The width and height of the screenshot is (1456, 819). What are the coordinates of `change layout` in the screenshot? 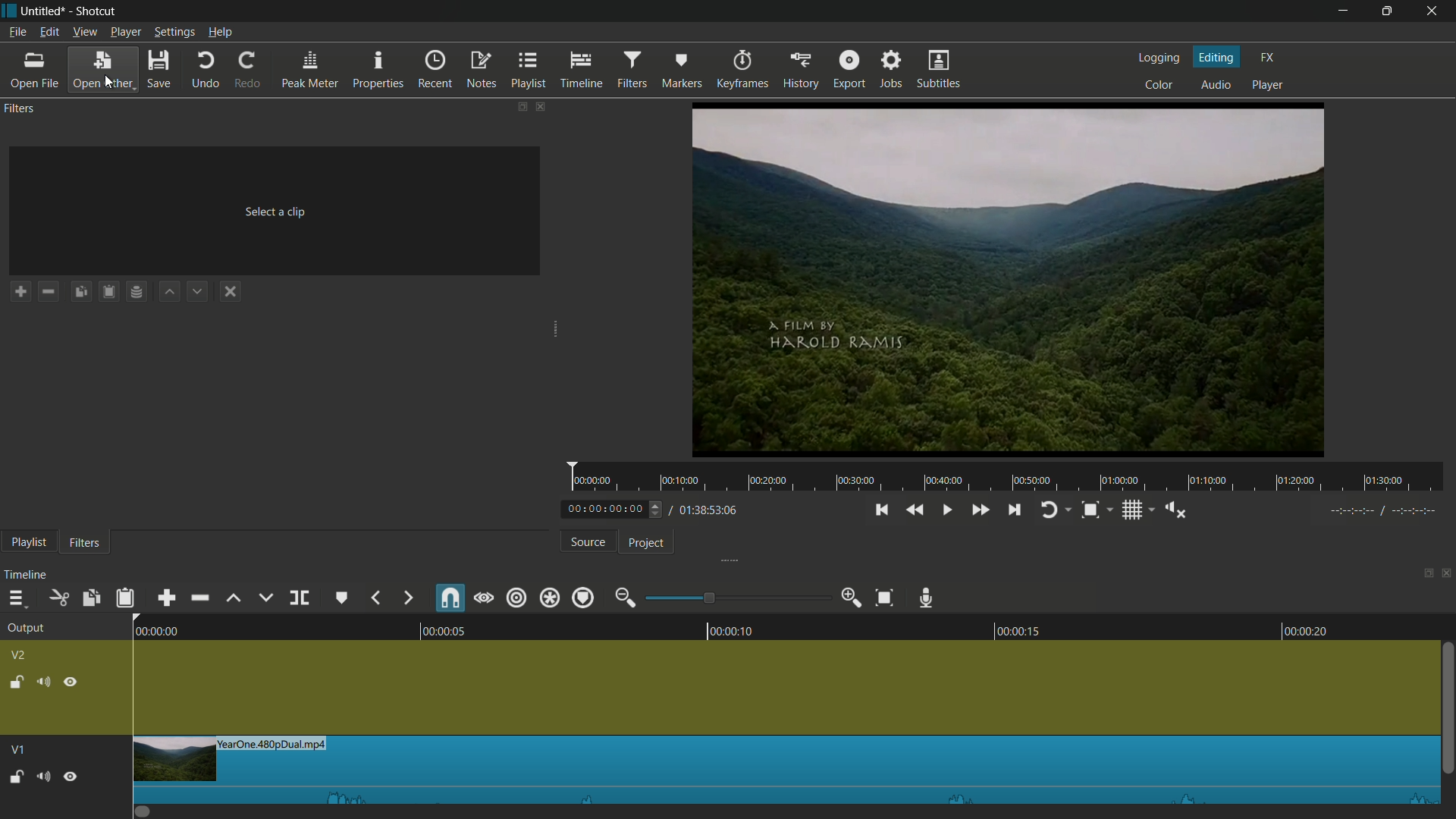 It's located at (1423, 576).